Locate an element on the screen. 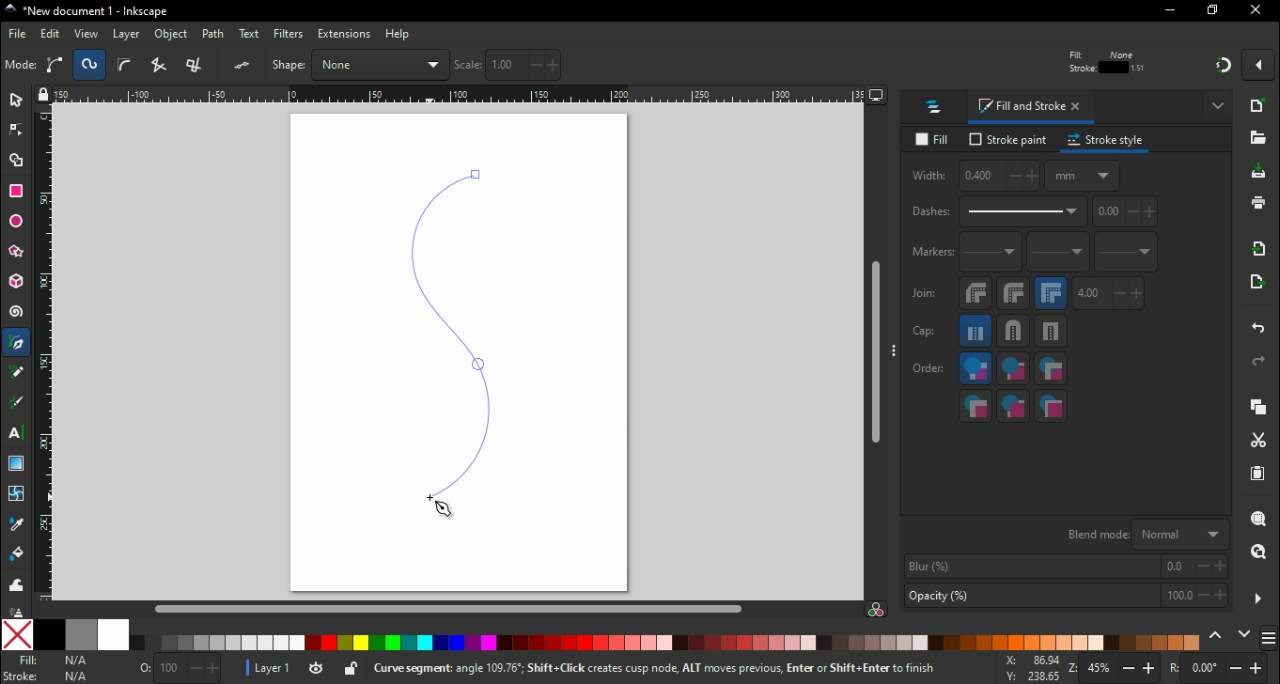 Image resolution: width=1280 pixels, height=684 pixels. opacity is located at coordinates (1064, 596).